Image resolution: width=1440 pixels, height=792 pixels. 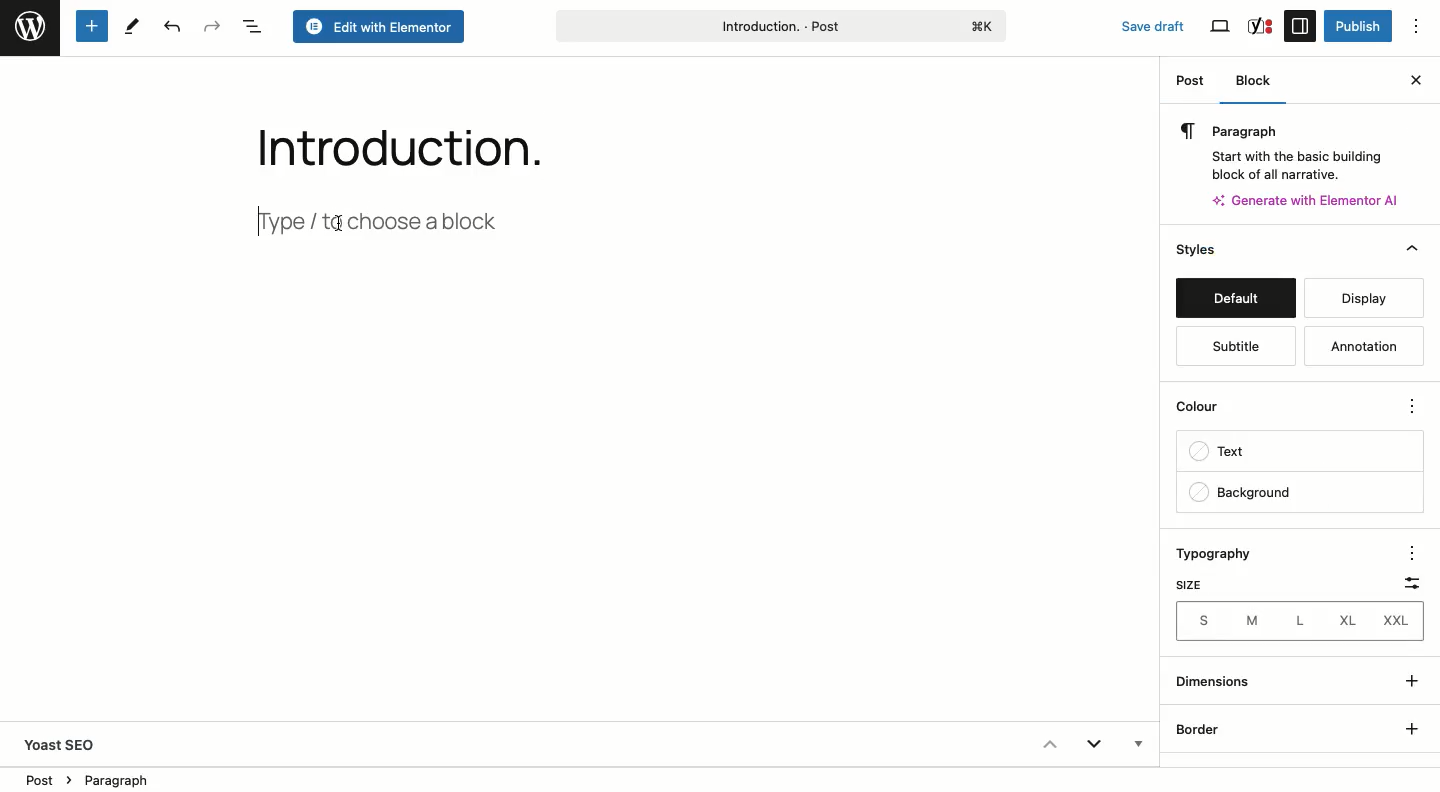 I want to click on Dimensions, so click(x=1218, y=681).